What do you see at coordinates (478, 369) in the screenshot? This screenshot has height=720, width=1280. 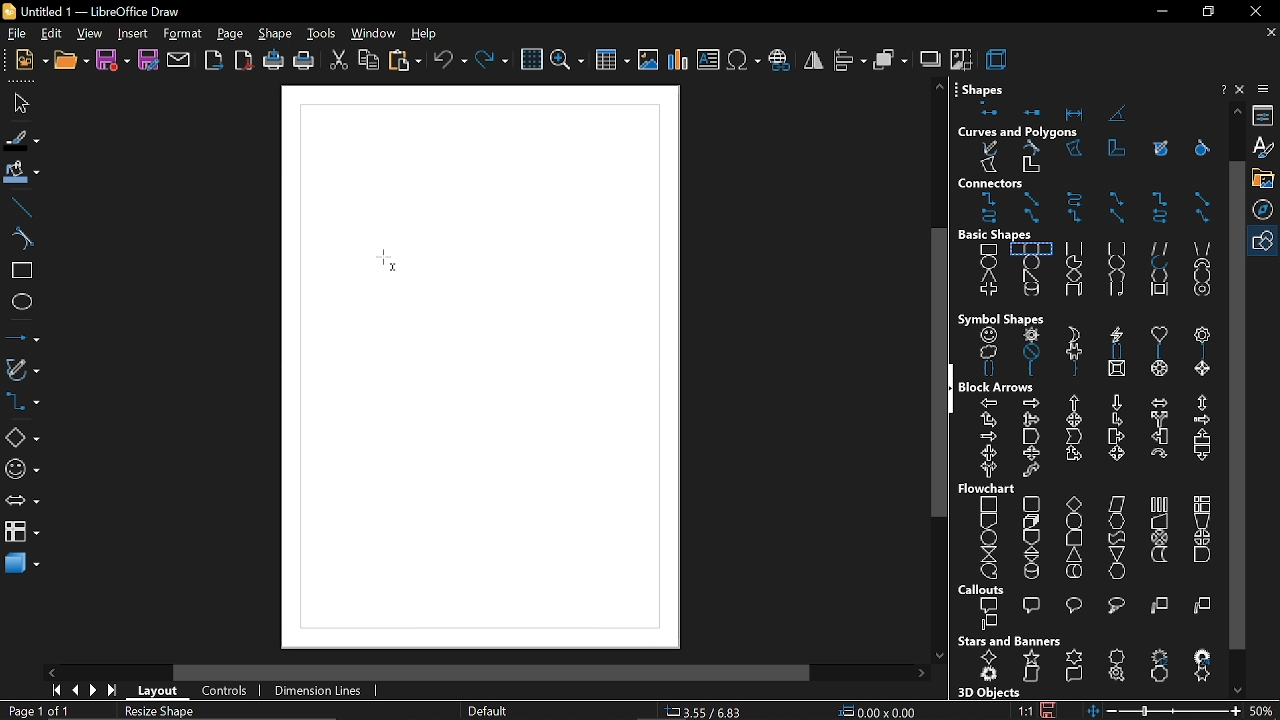 I see `Canvas` at bounding box center [478, 369].